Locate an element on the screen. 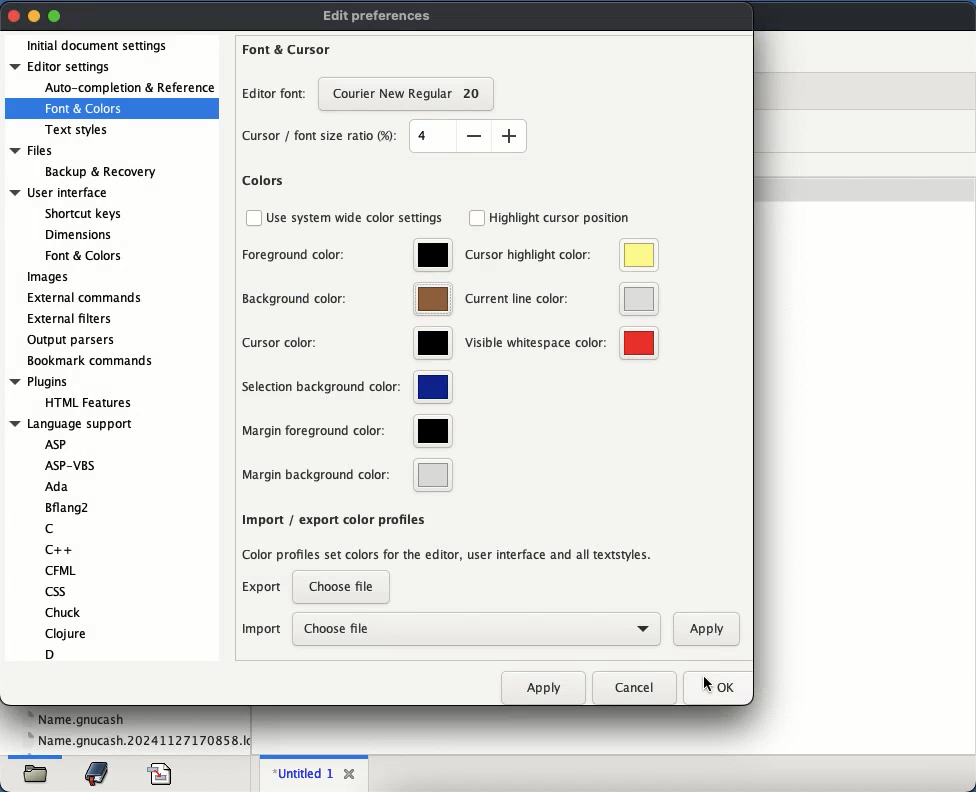 The height and width of the screenshot is (792, 976). editor font is located at coordinates (276, 93).